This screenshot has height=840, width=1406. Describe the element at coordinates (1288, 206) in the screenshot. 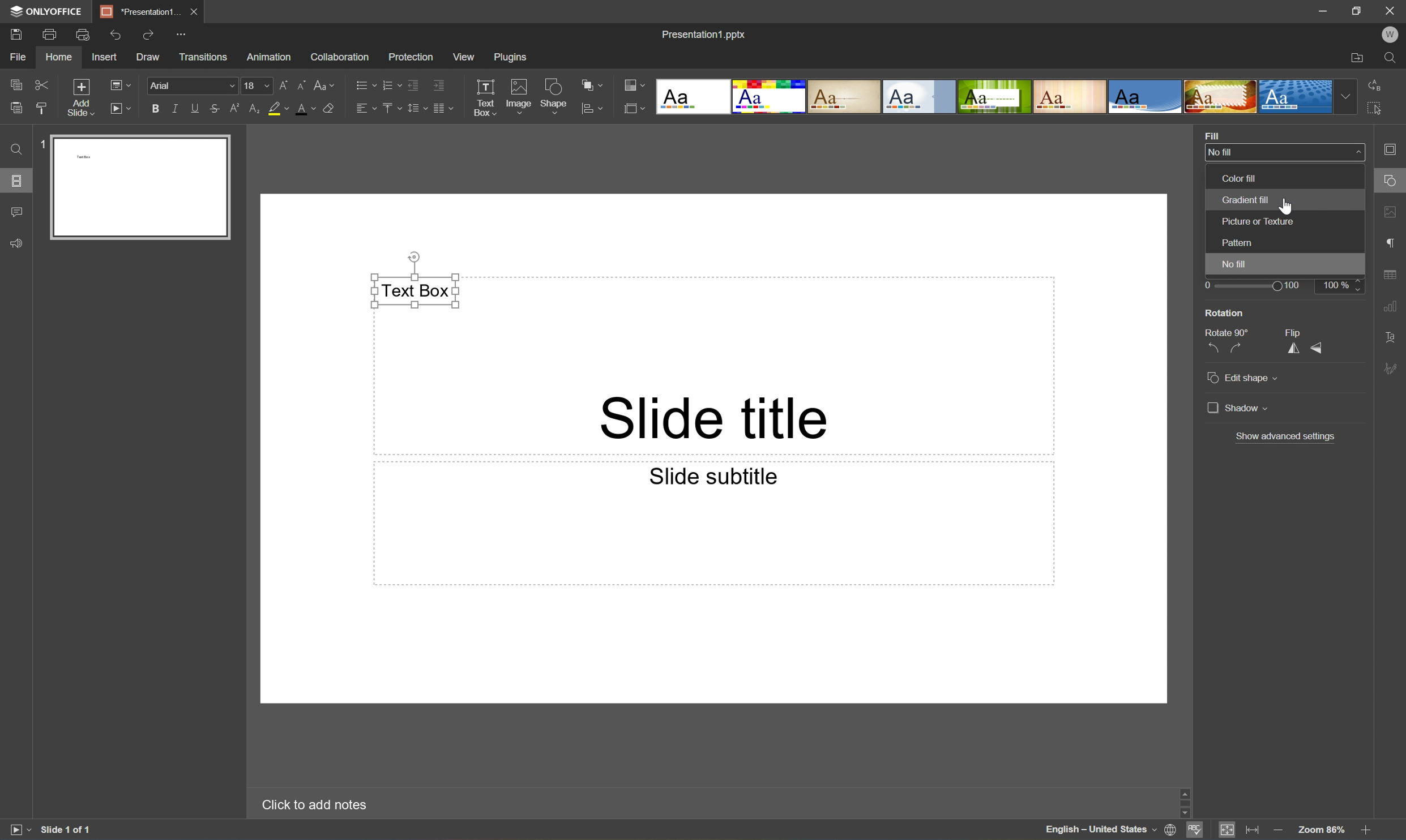

I see `Cursor` at that location.